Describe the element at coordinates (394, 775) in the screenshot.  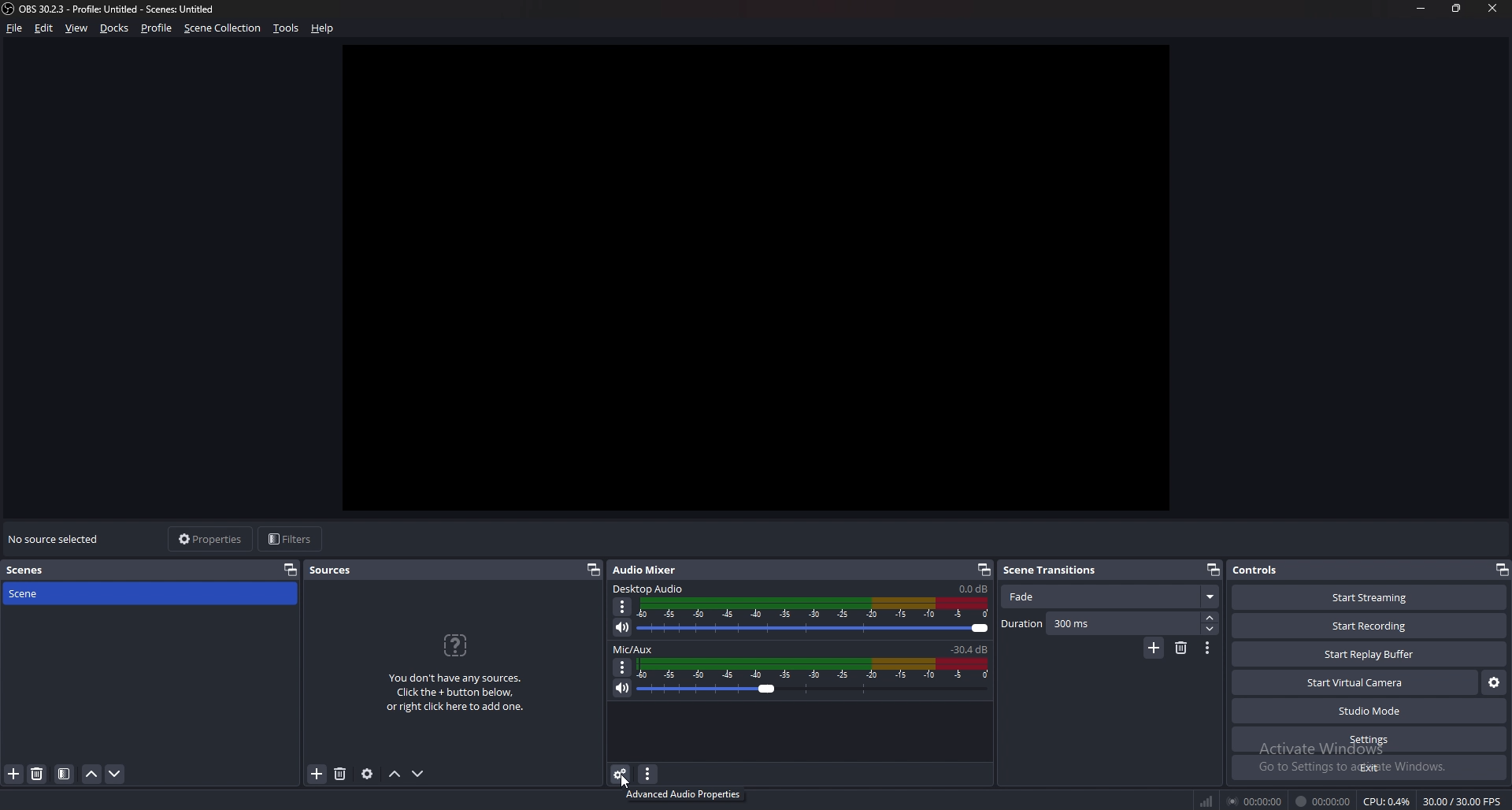
I see `move source up` at that location.